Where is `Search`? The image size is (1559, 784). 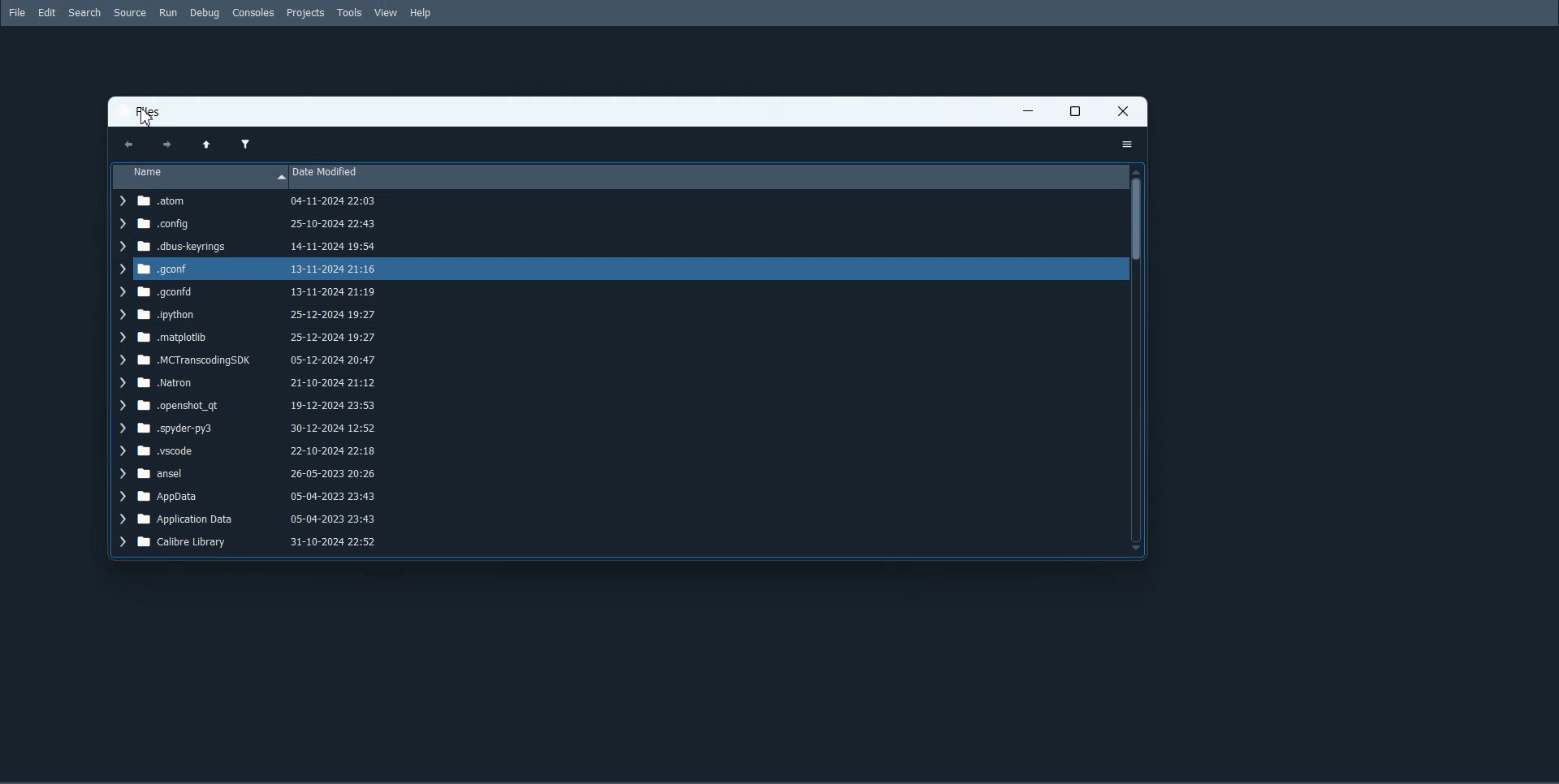
Search is located at coordinates (84, 13).